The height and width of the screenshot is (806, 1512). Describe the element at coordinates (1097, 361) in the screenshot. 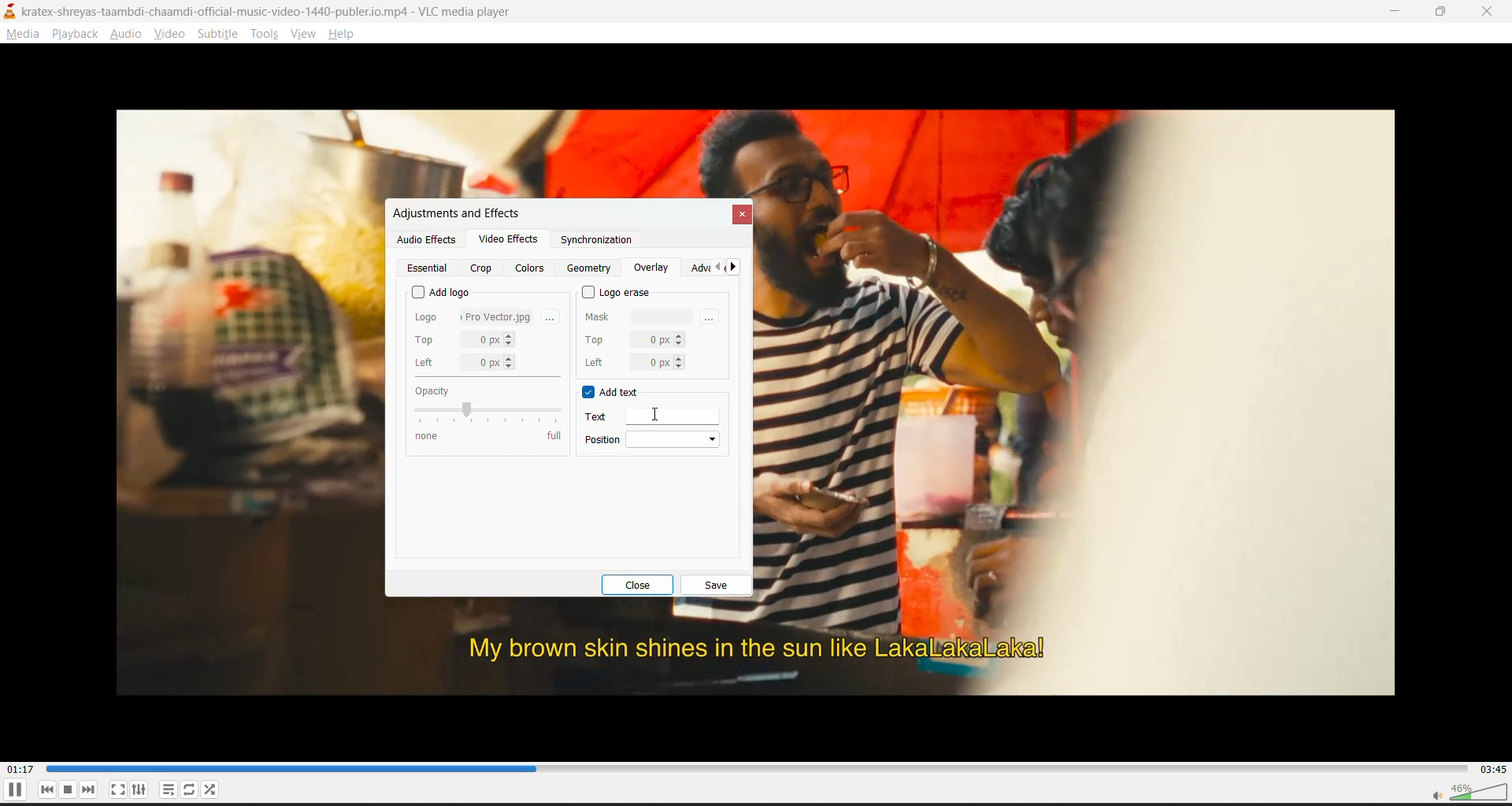

I see `Image of a man eating` at that location.